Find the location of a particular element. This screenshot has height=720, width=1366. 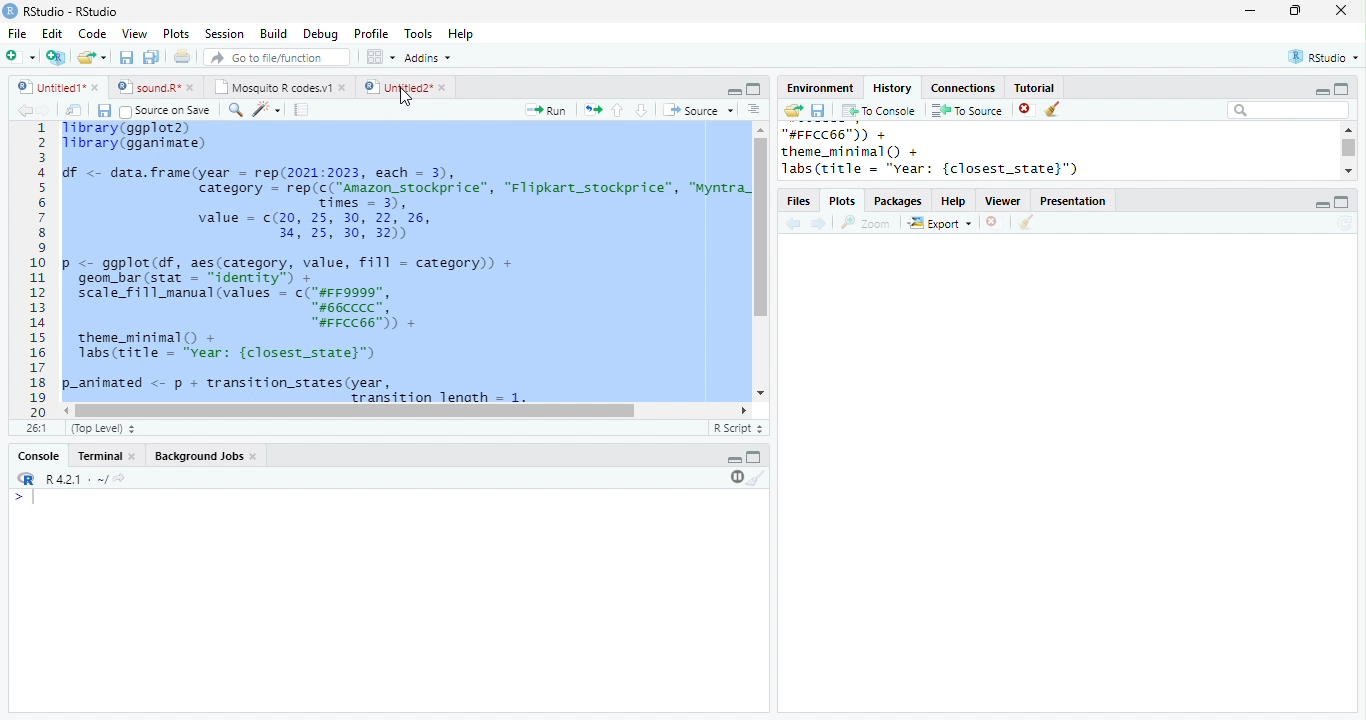

Untitled1 is located at coordinates (47, 86).